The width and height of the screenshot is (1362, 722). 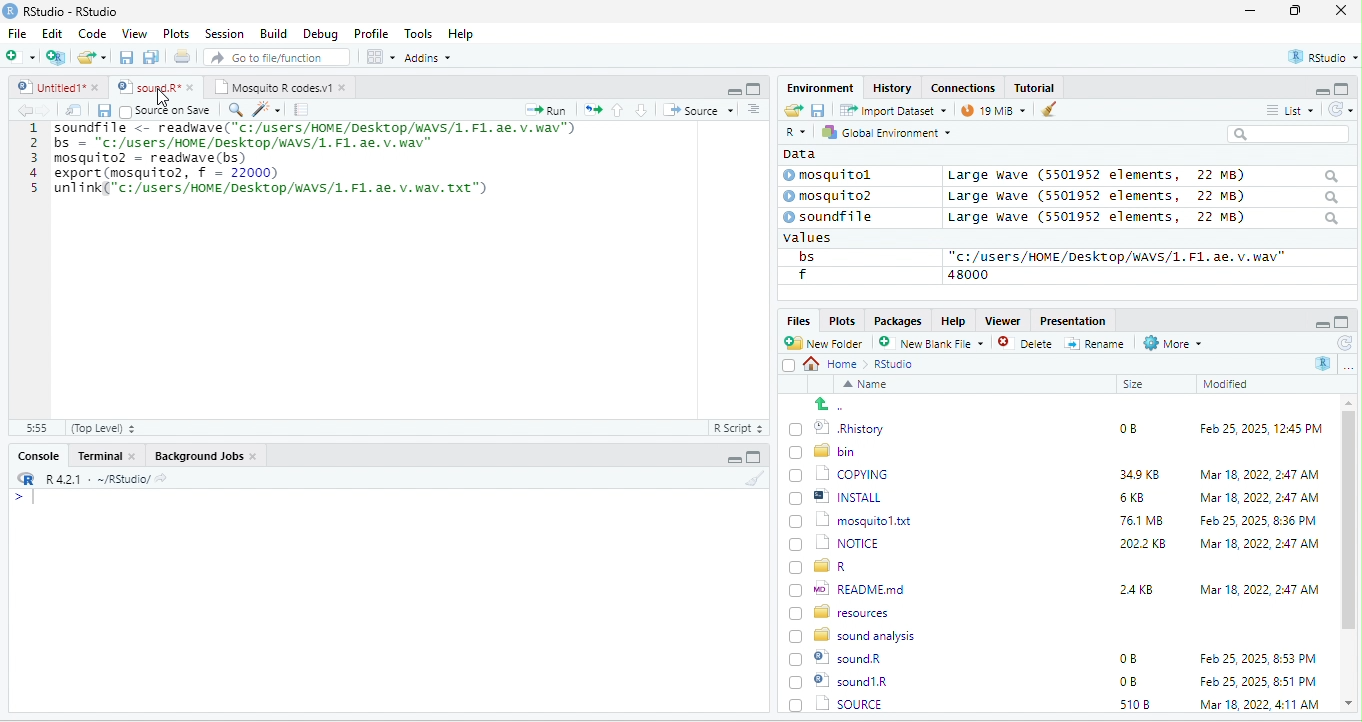 I want to click on Delete, so click(x=1028, y=344).